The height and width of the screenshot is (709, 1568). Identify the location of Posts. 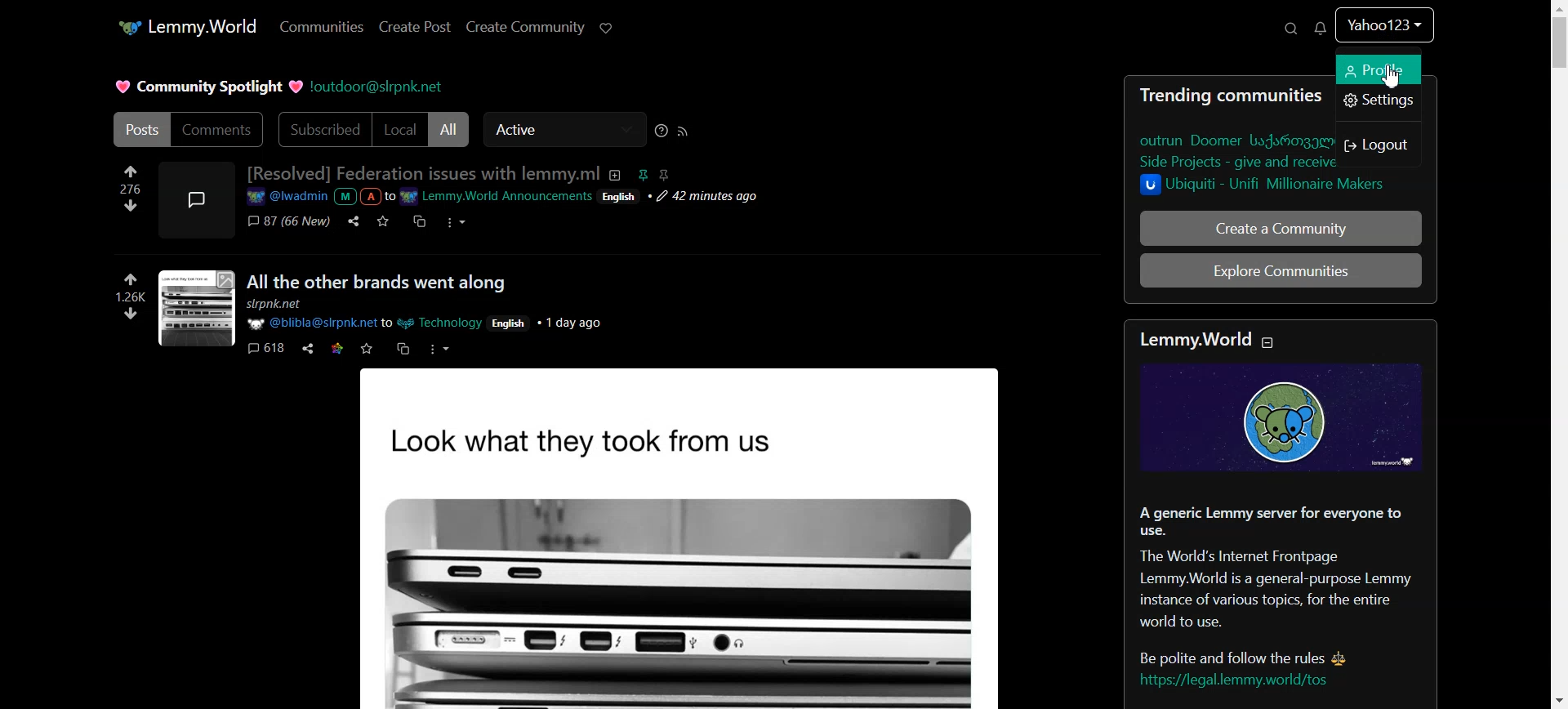
(140, 128).